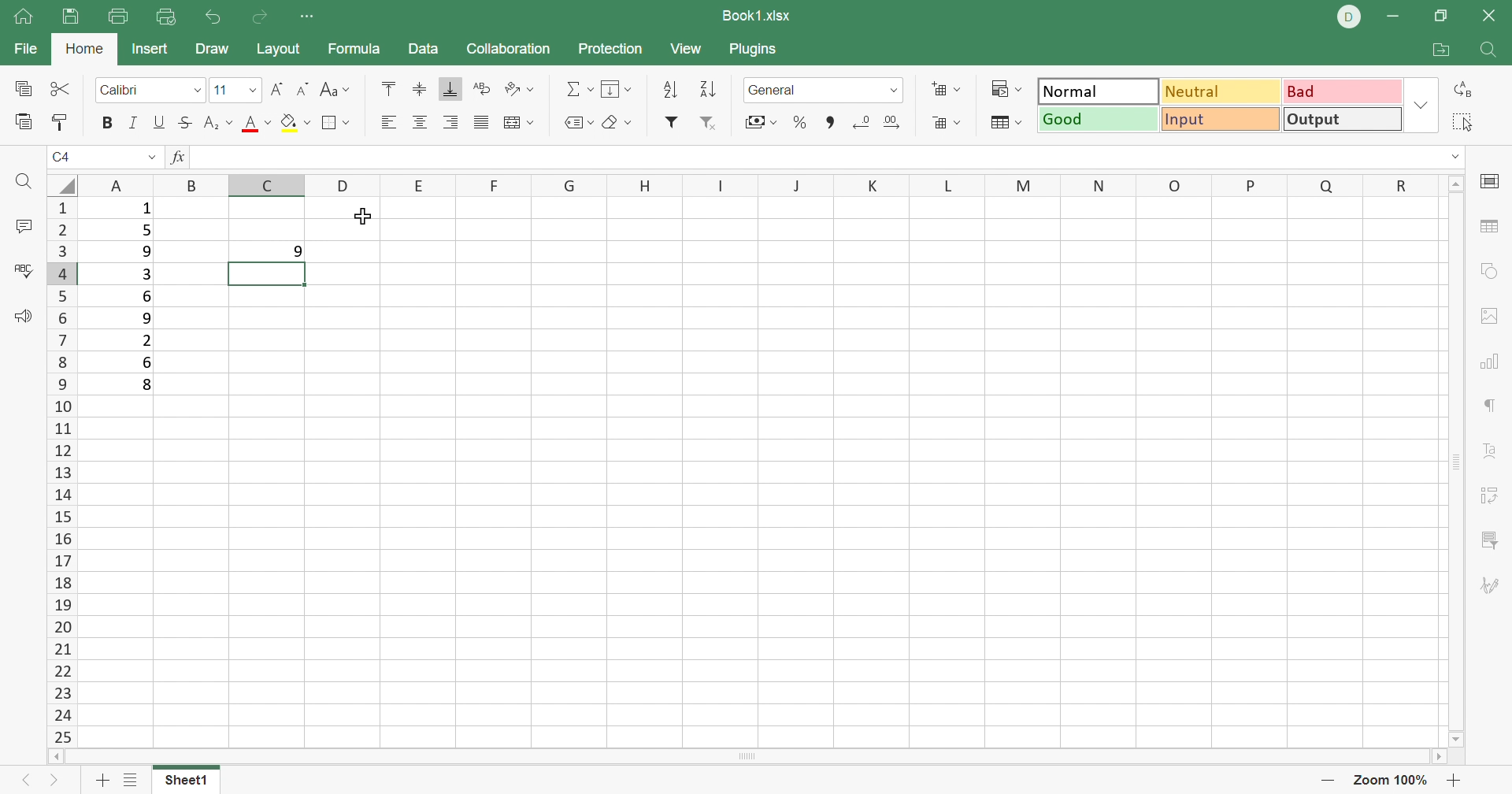 This screenshot has width=1512, height=794. What do you see at coordinates (261, 20) in the screenshot?
I see `Redo` at bounding box center [261, 20].